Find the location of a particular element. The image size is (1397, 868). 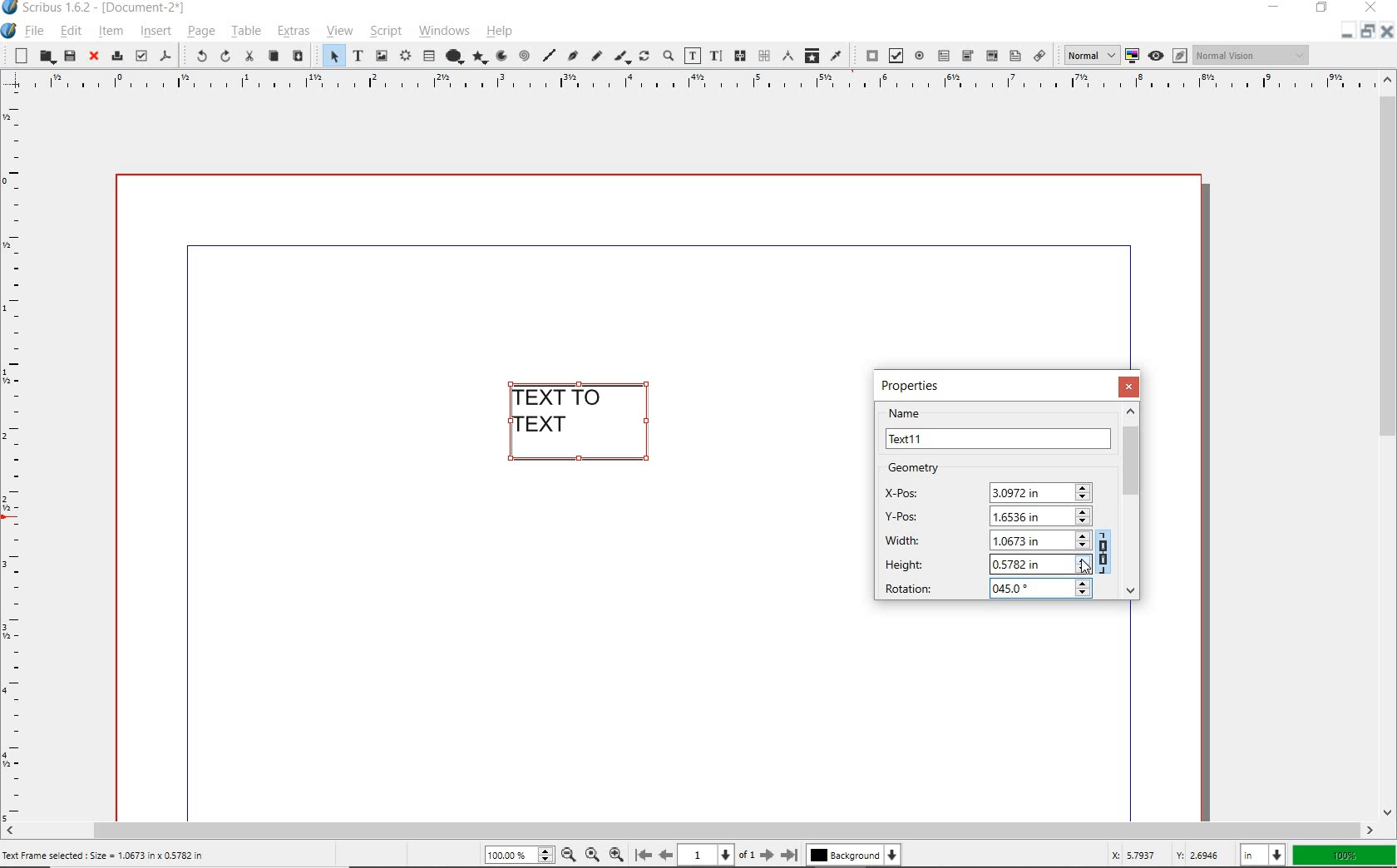

unlink text frames is located at coordinates (763, 57).